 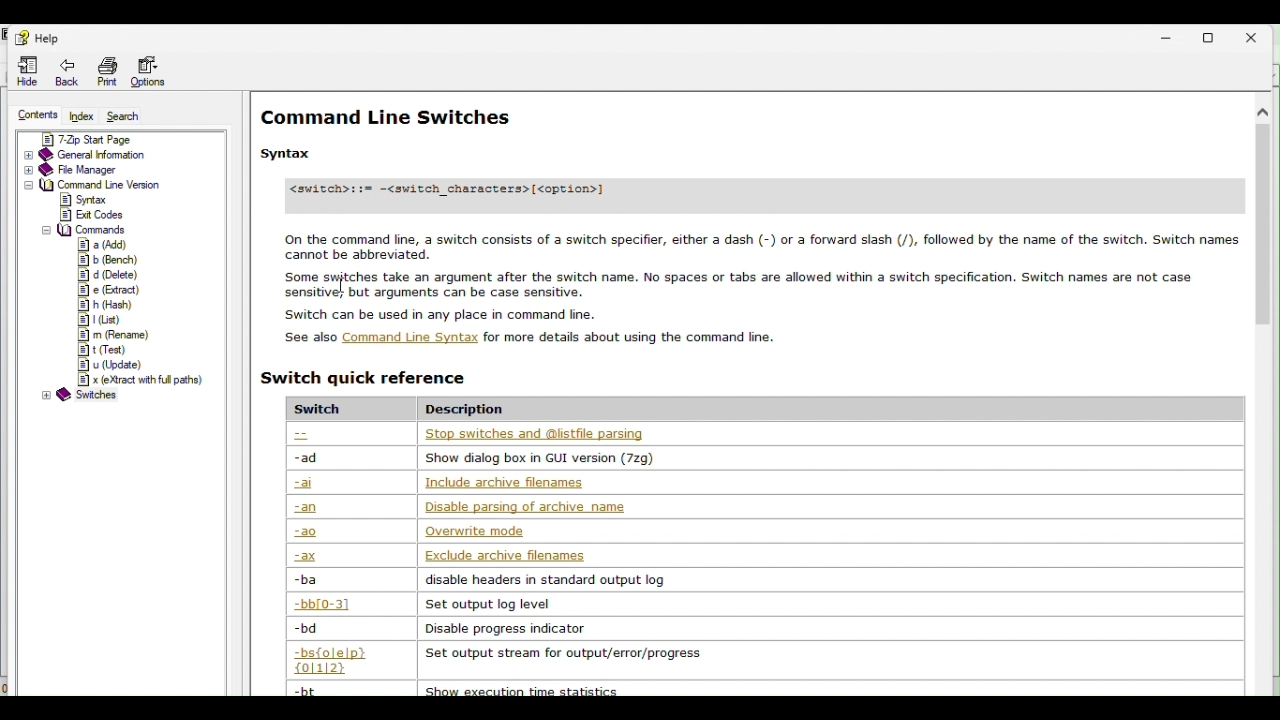 I want to click on set output log level, so click(x=492, y=603).